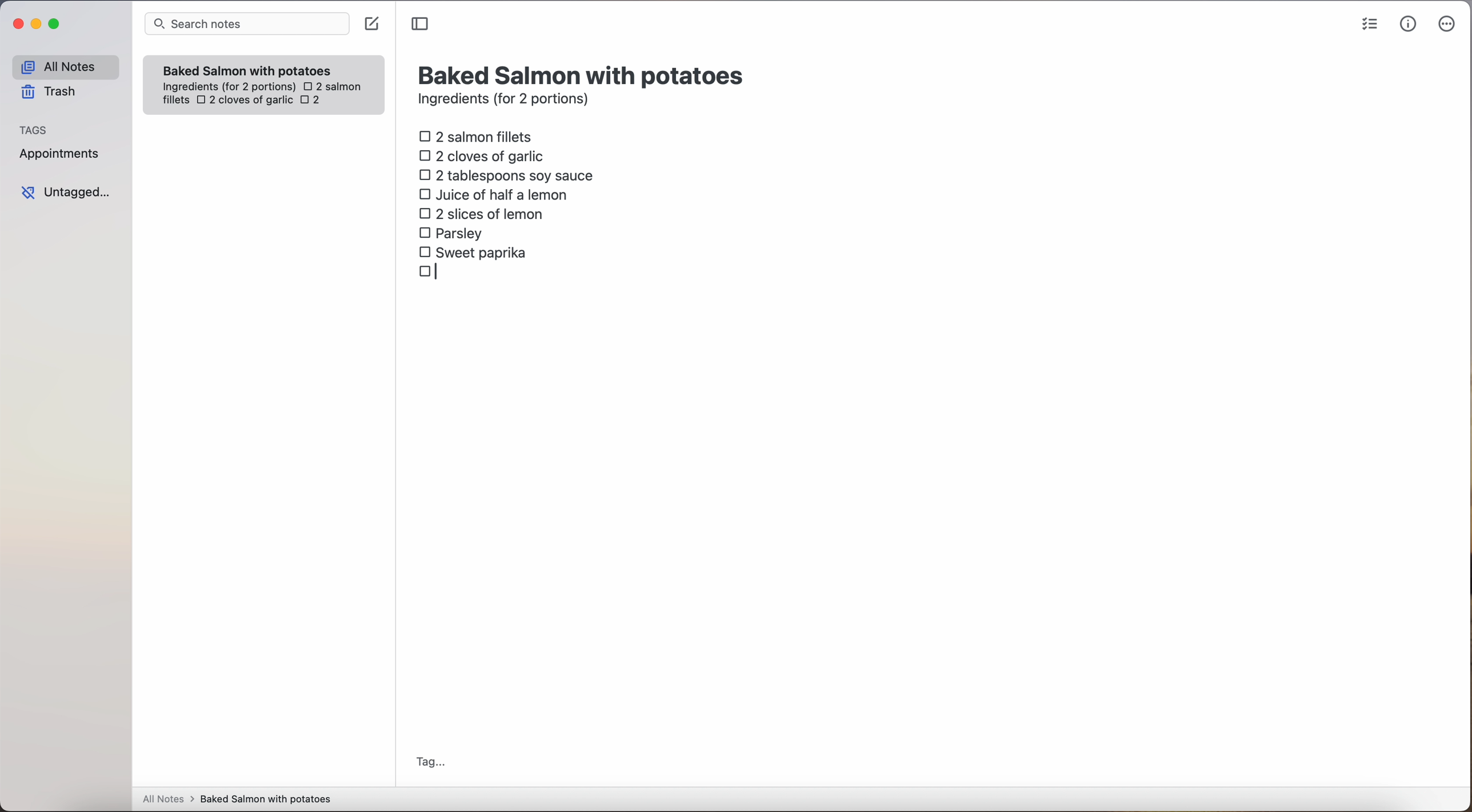  I want to click on search bar, so click(246, 25).